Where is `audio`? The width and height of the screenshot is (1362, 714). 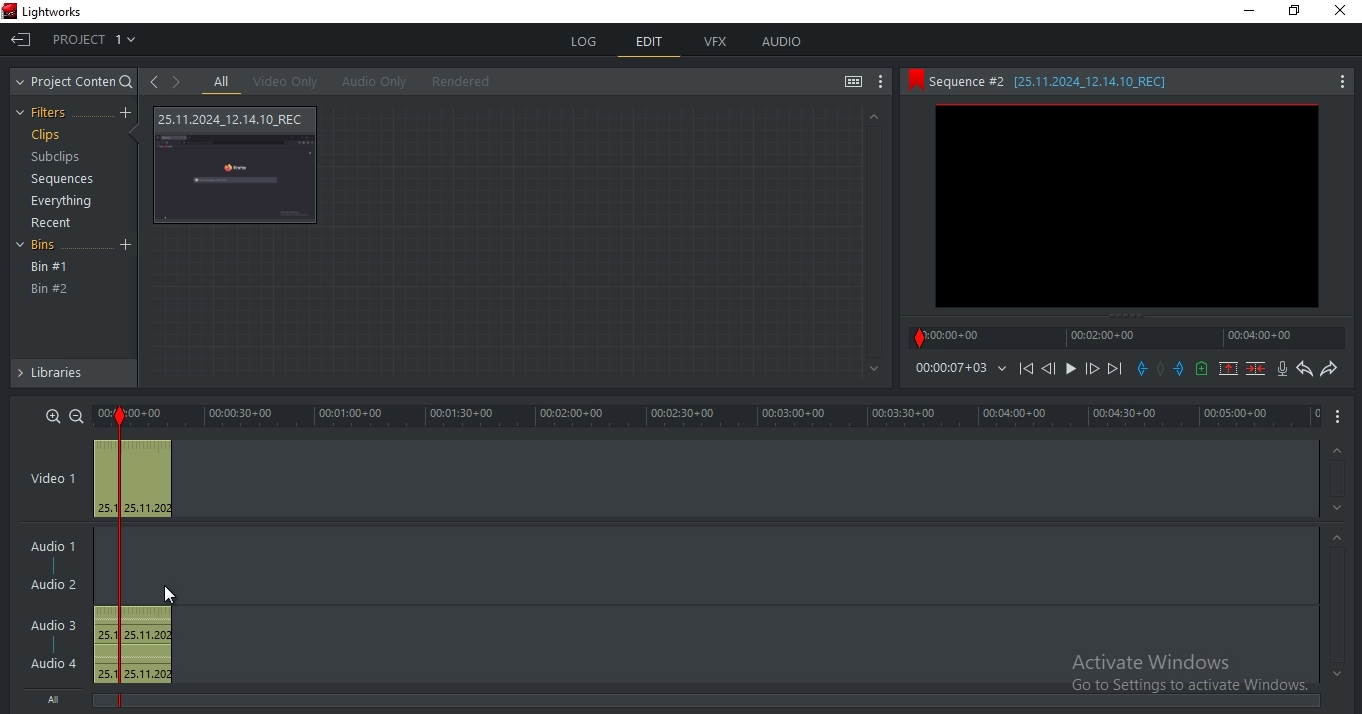
audio is located at coordinates (782, 43).